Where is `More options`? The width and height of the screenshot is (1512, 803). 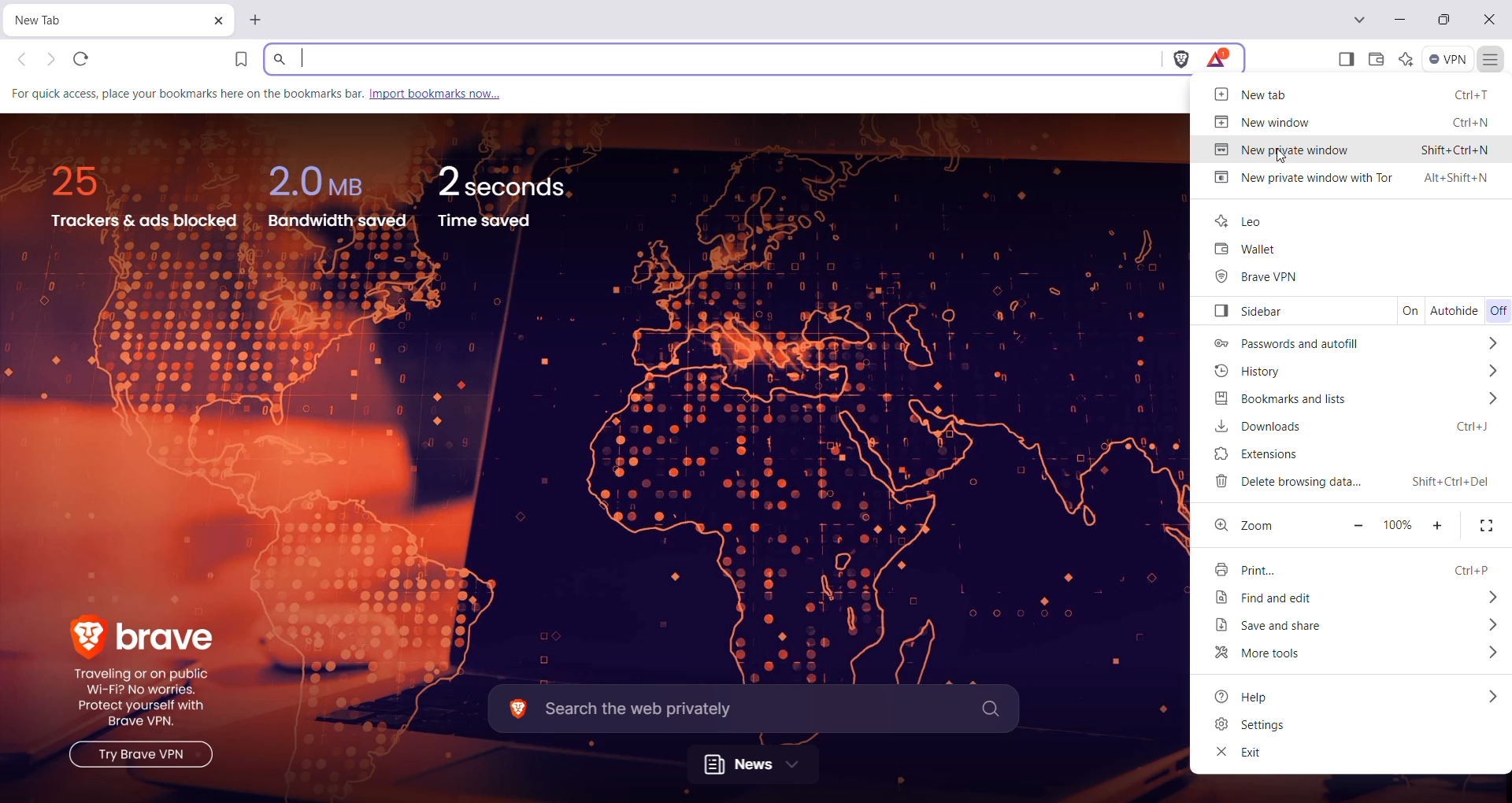
More options is located at coordinates (1492, 400).